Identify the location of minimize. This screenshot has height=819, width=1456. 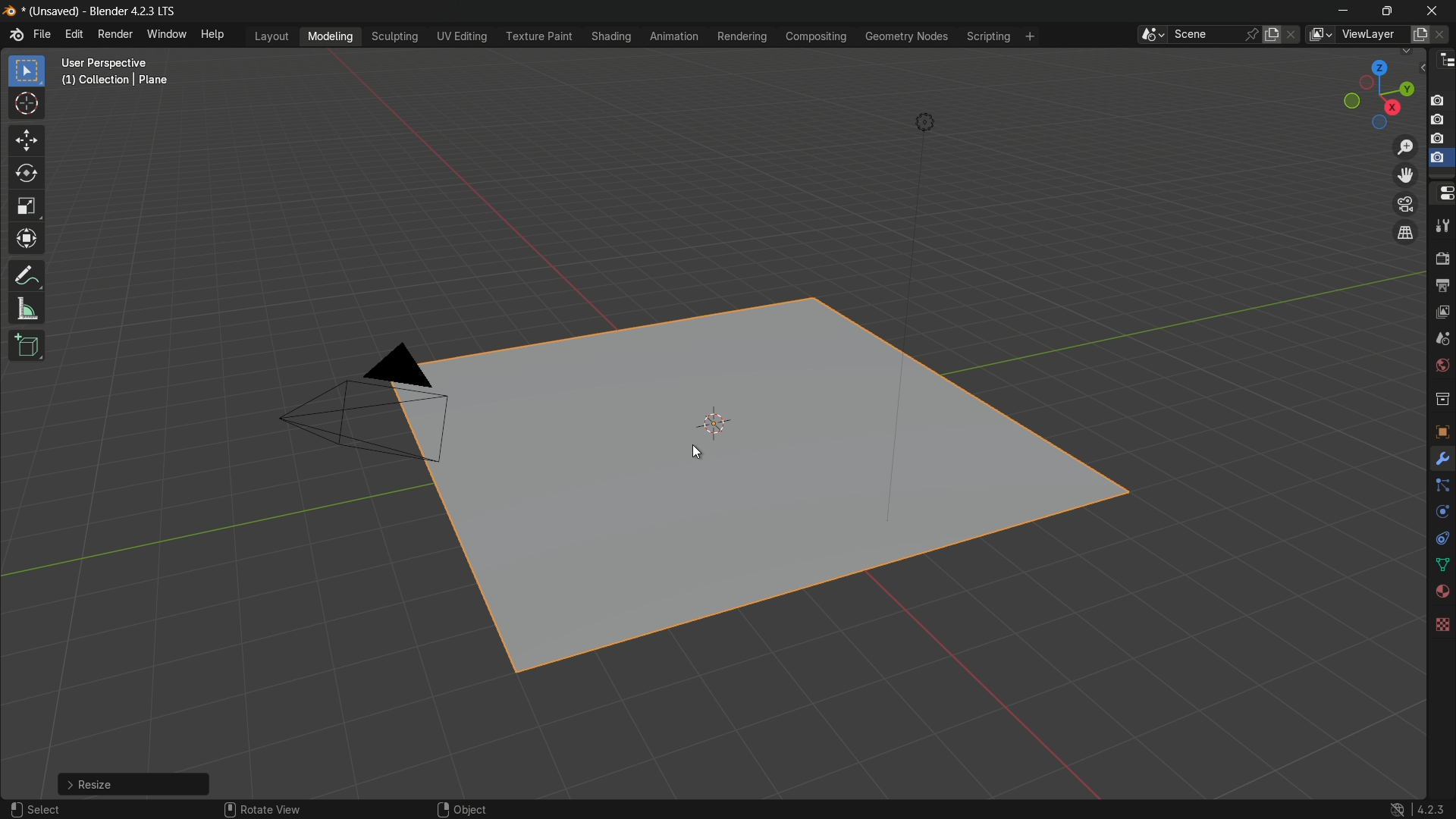
(1343, 11).